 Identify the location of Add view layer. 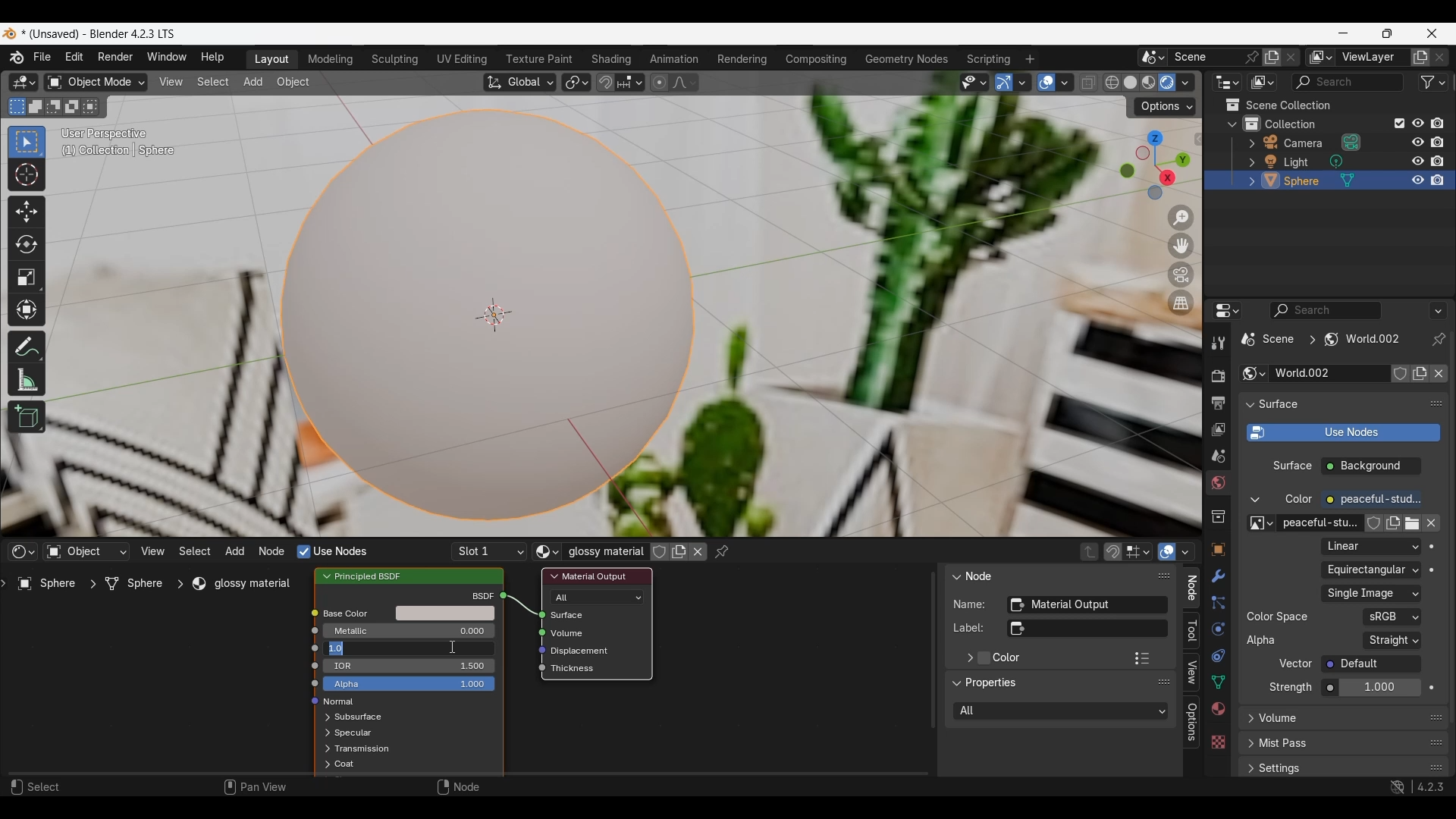
(1420, 57).